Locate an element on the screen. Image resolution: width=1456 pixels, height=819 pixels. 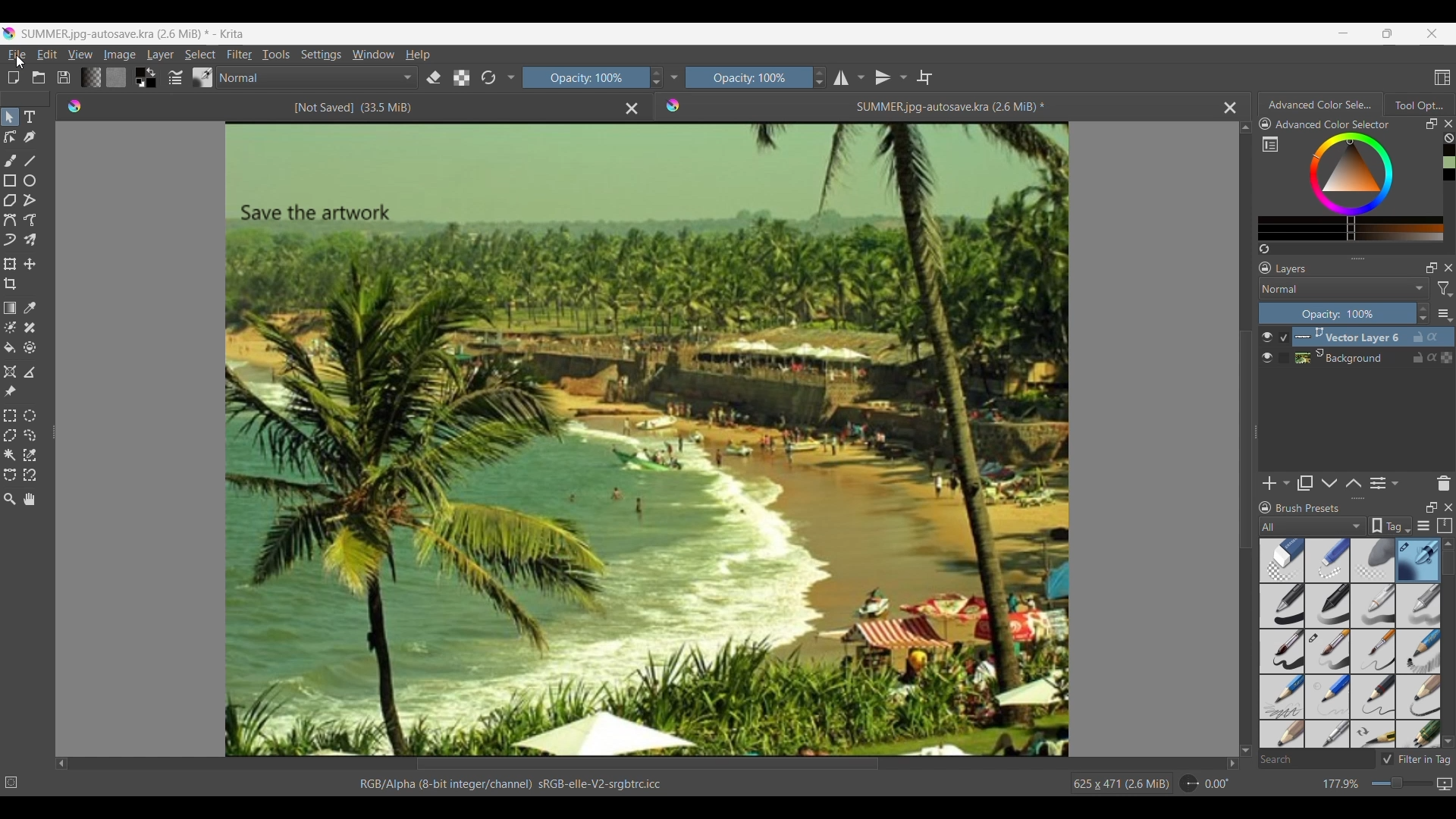
Settings is located at coordinates (321, 54).